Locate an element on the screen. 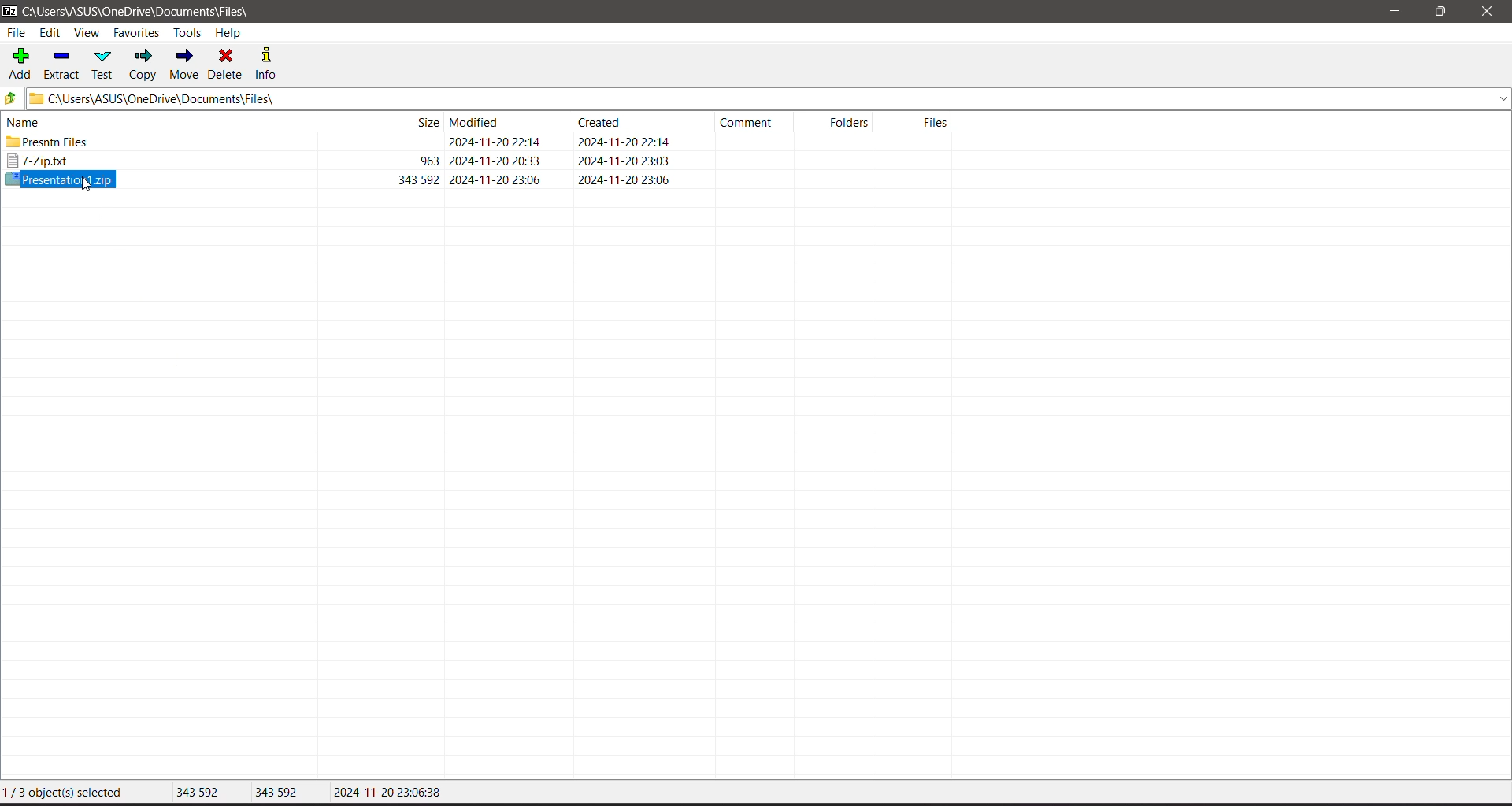 This screenshot has height=806, width=1512. Minimize is located at coordinates (1395, 12).